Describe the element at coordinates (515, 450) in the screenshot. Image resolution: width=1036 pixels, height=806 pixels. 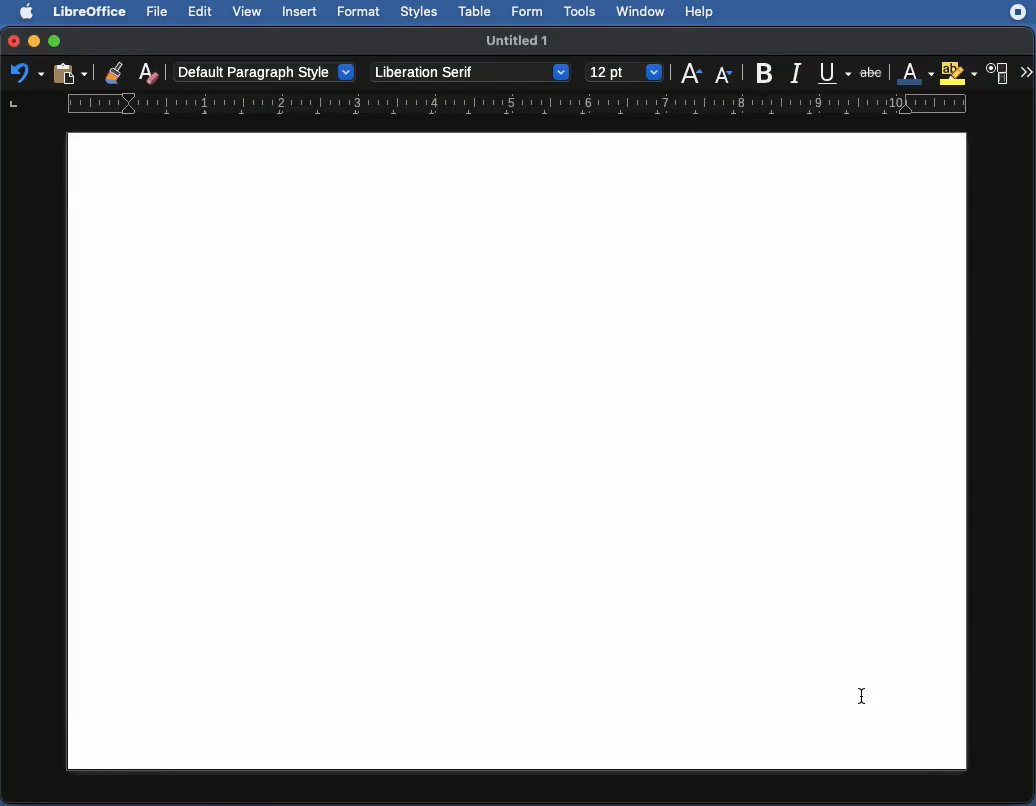
I see `Changed orientation to landscape` at that location.